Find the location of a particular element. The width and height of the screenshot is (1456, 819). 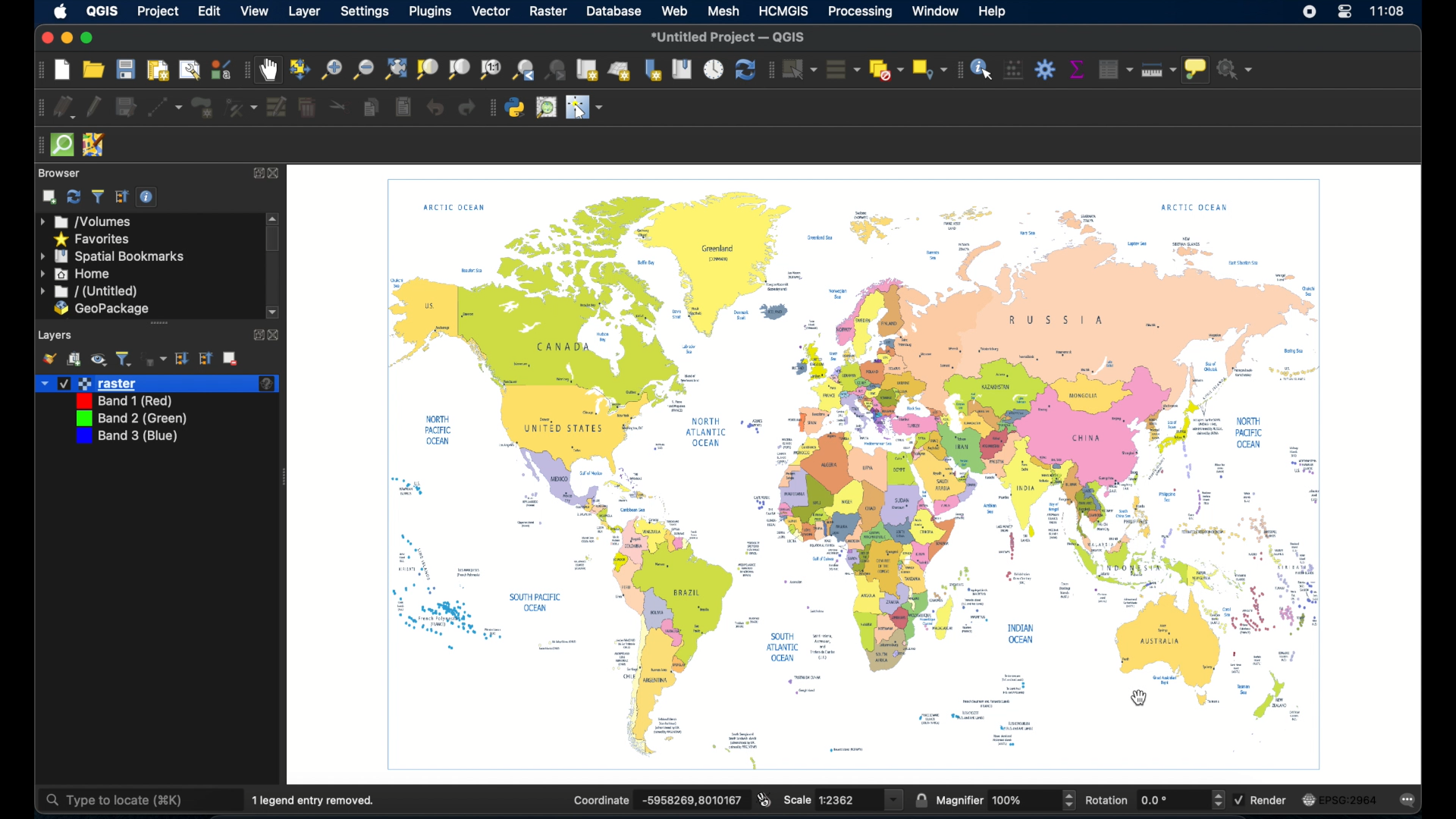

scroll down arrow is located at coordinates (275, 312).